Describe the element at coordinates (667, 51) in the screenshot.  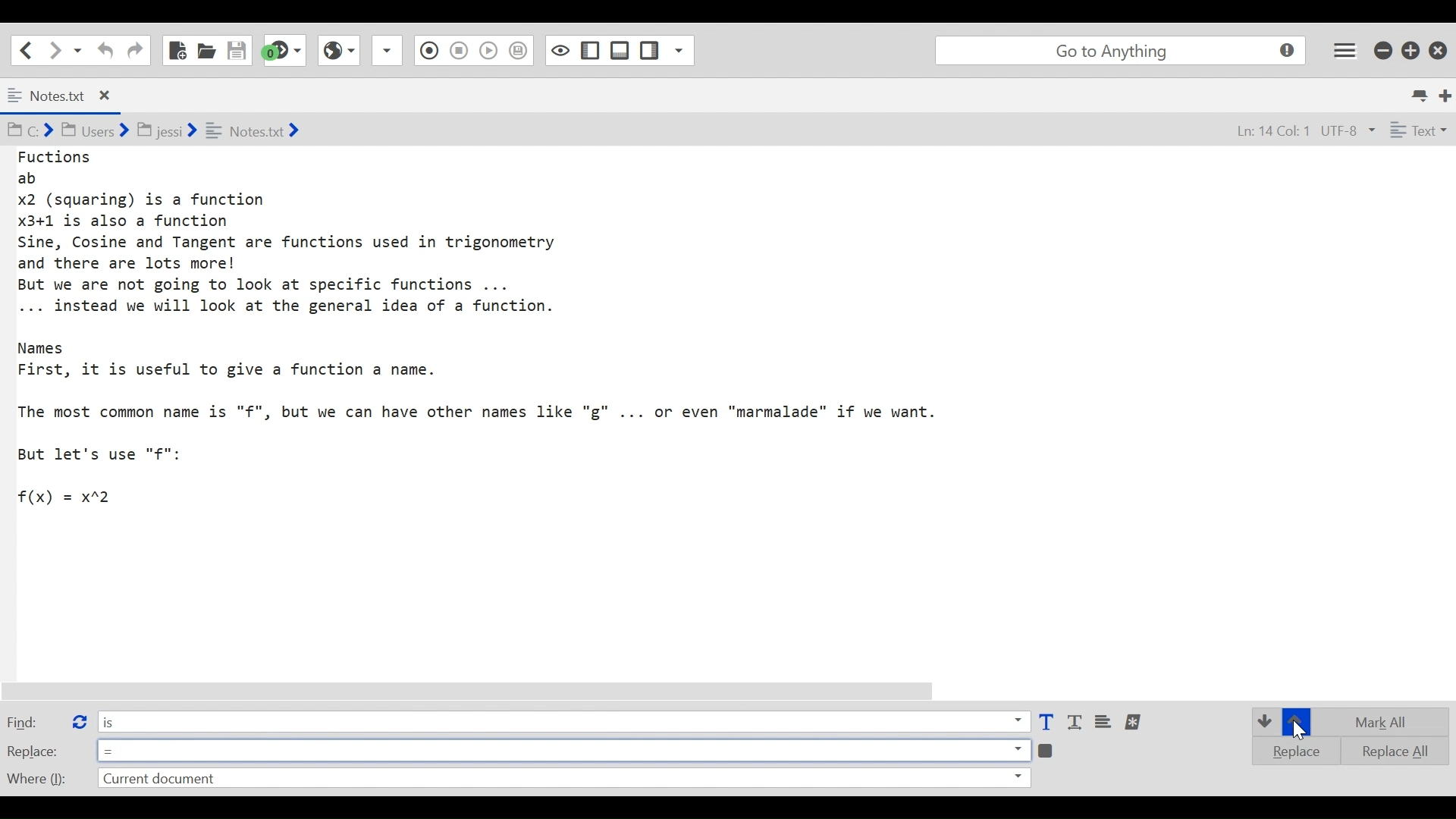
I see `Show specific Sidepane` at that location.